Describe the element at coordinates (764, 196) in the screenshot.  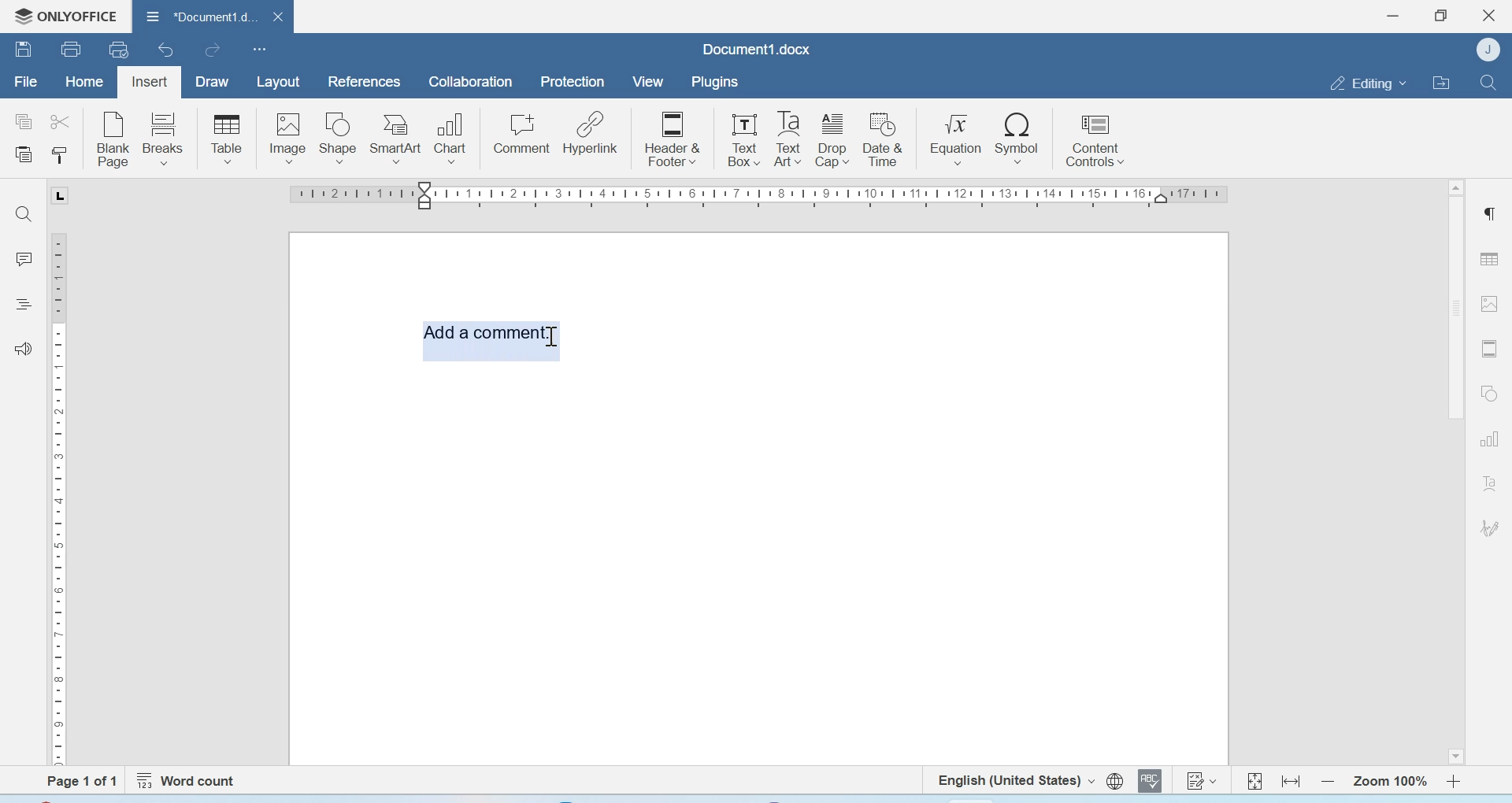
I see `Scale` at that location.